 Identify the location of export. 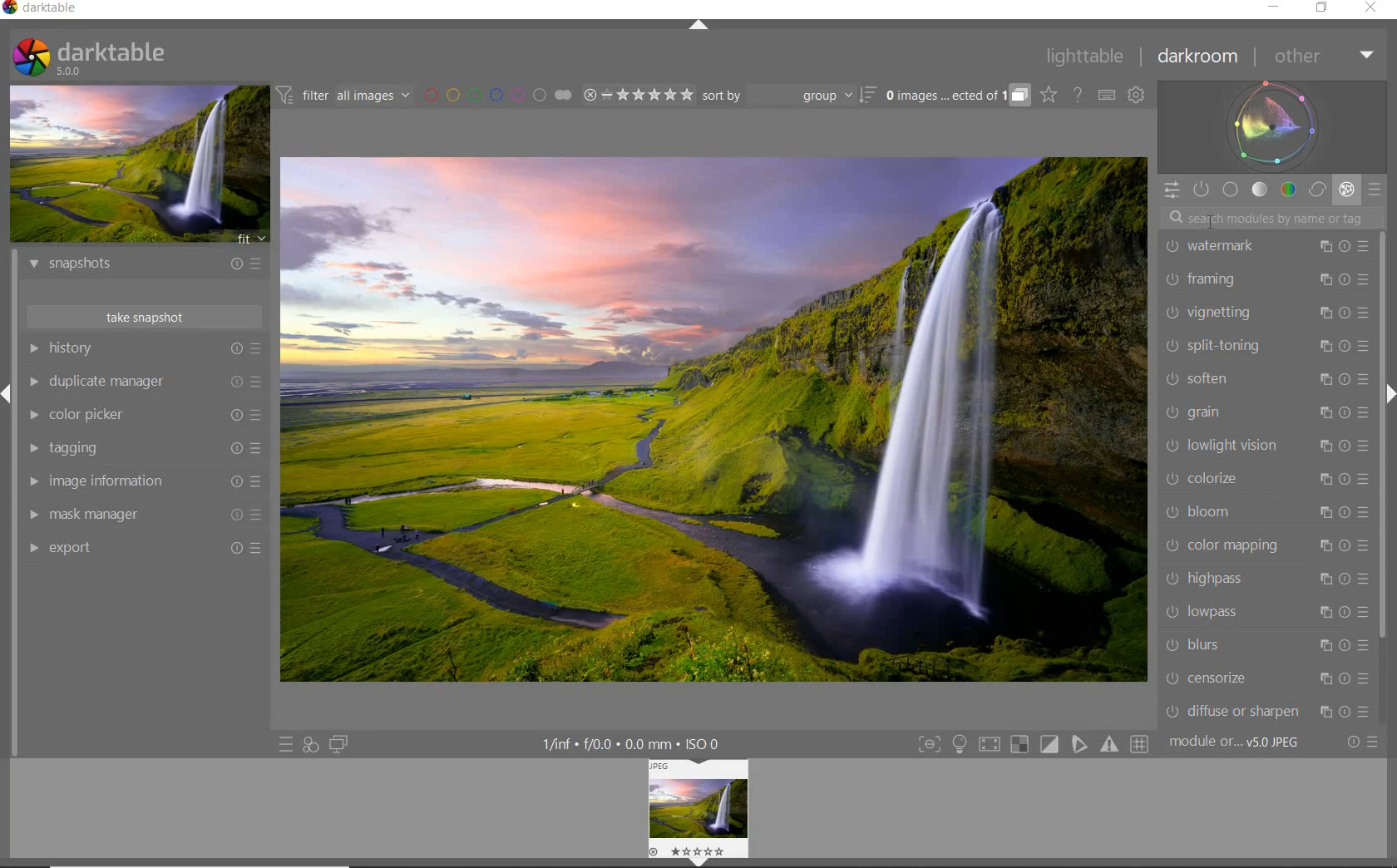
(146, 550).